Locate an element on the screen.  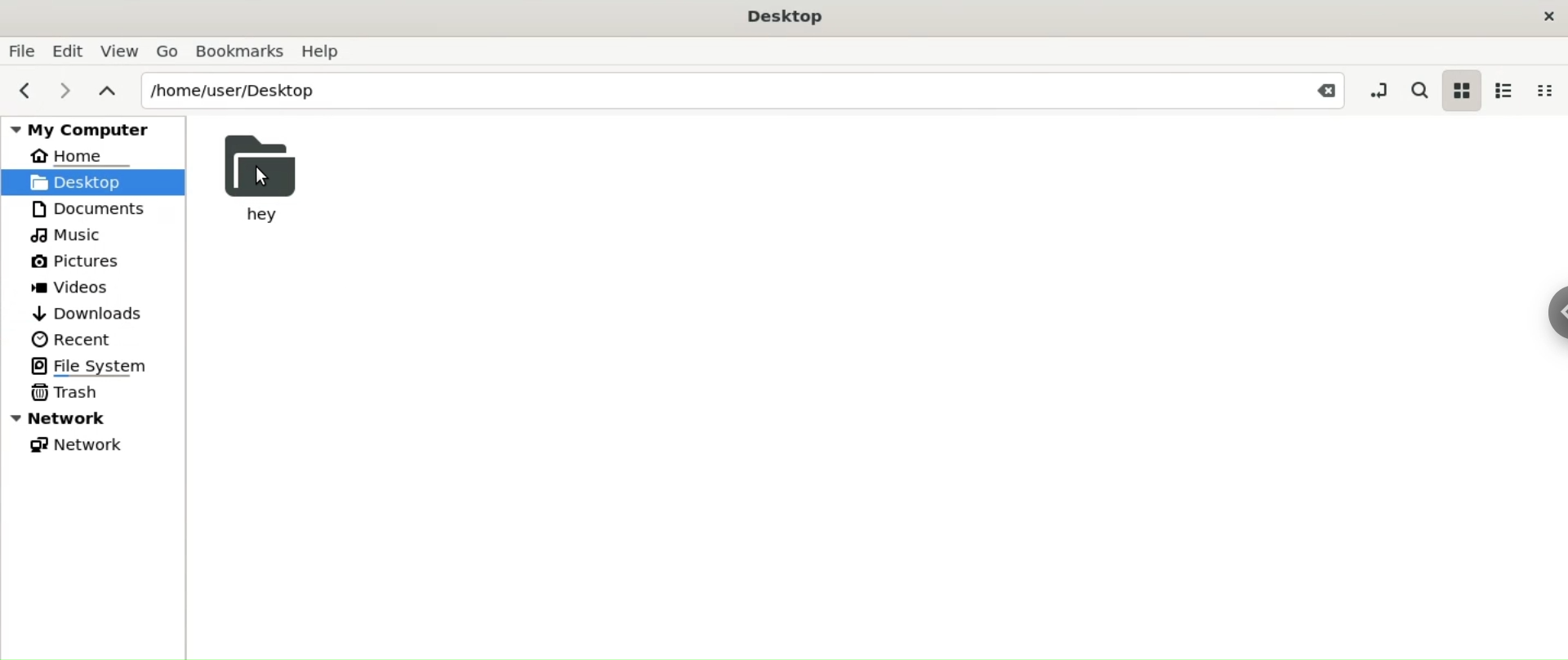
Recent is located at coordinates (74, 340).